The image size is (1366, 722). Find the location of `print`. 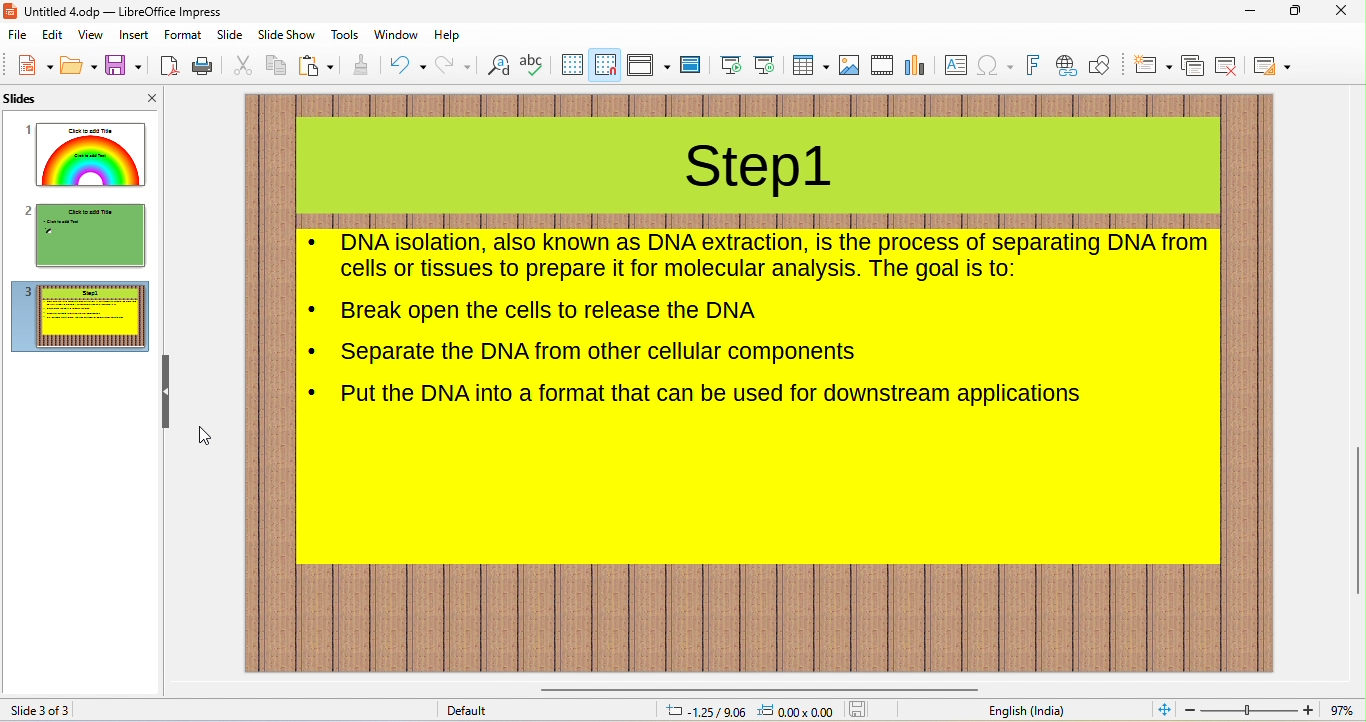

print is located at coordinates (201, 67).